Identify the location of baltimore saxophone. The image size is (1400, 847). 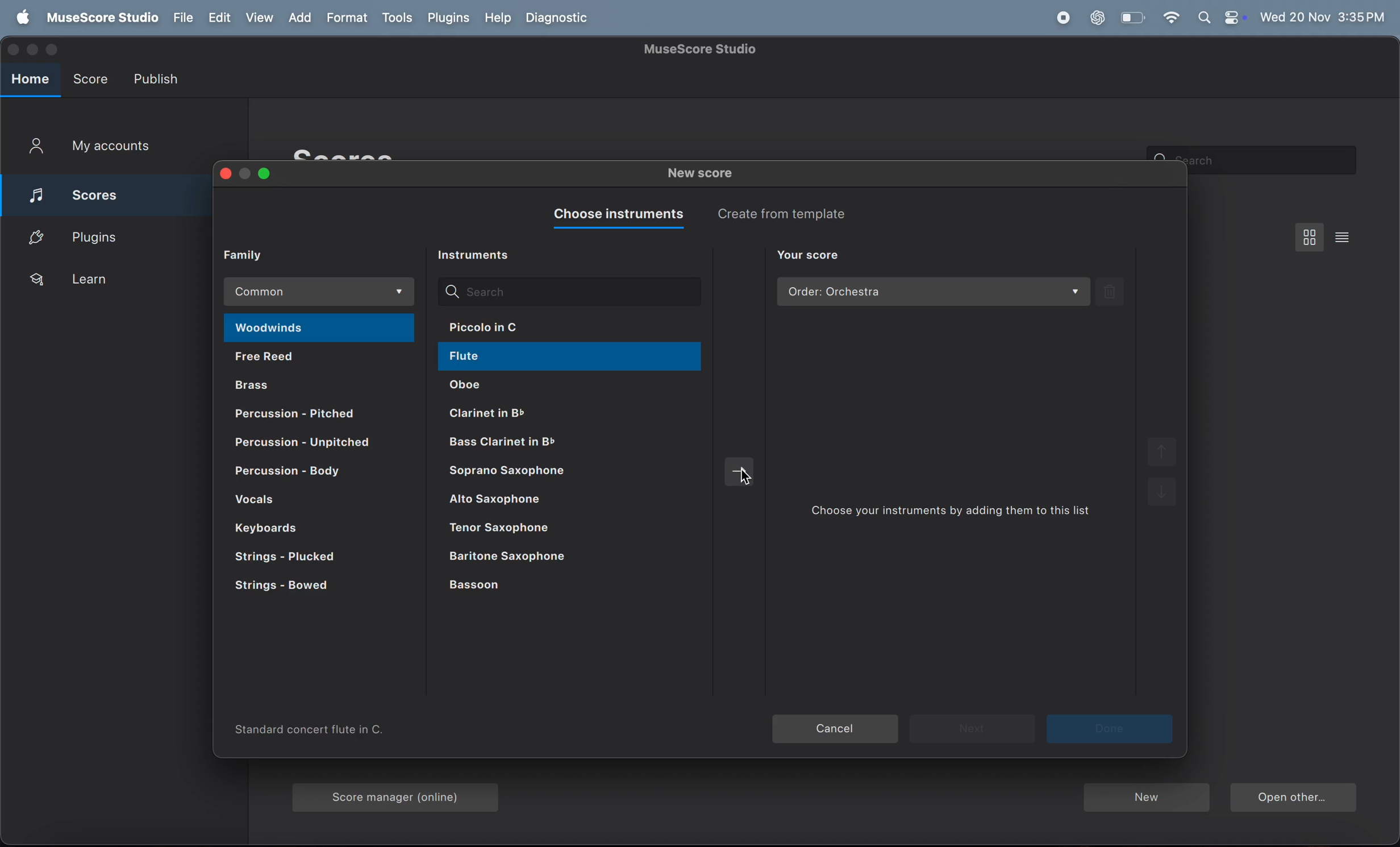
(557, 557).